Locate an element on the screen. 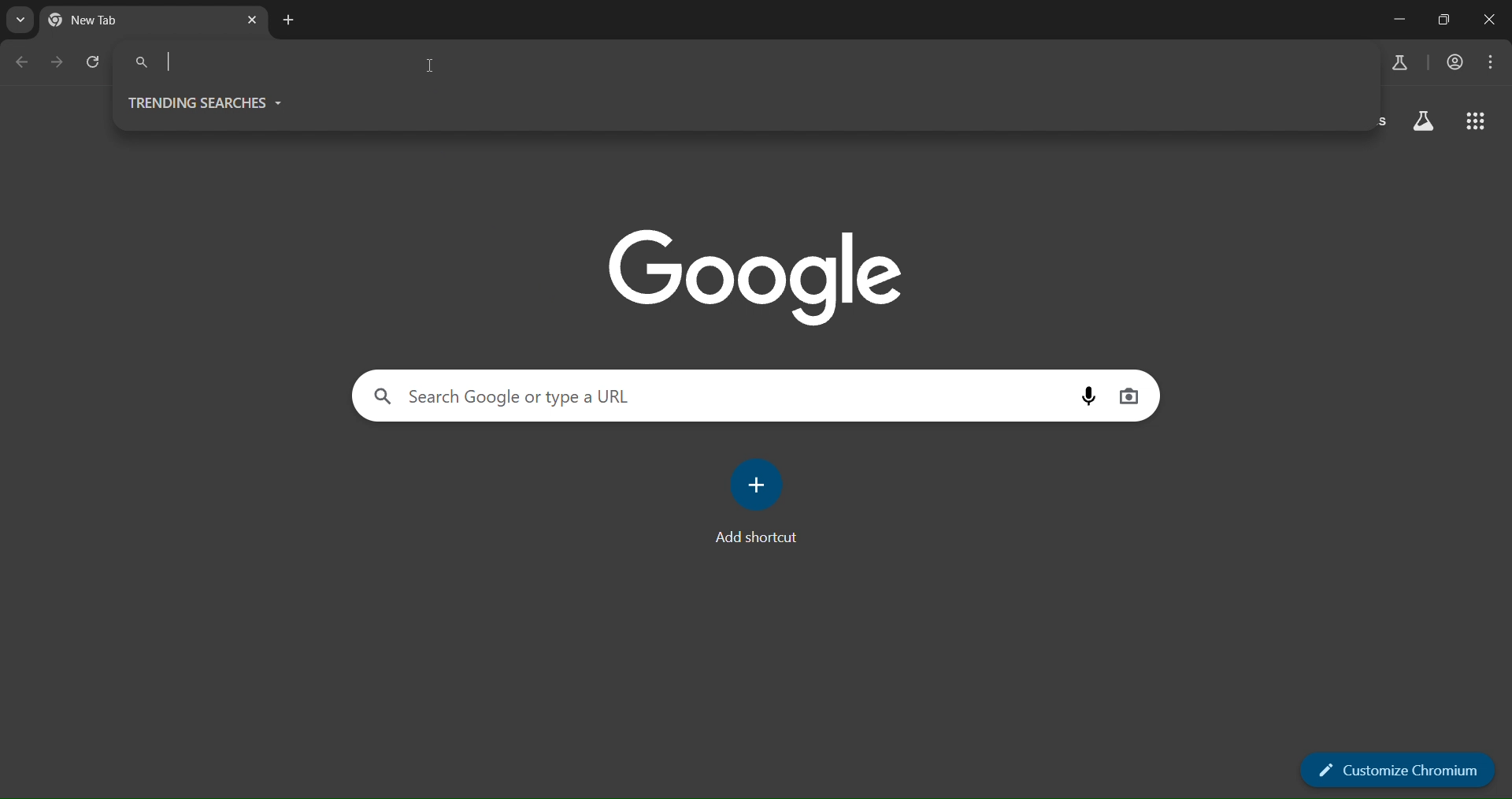 The height and width of the screenshot is (799, 1512). Add shortcut is located at coordinates (758, 537).